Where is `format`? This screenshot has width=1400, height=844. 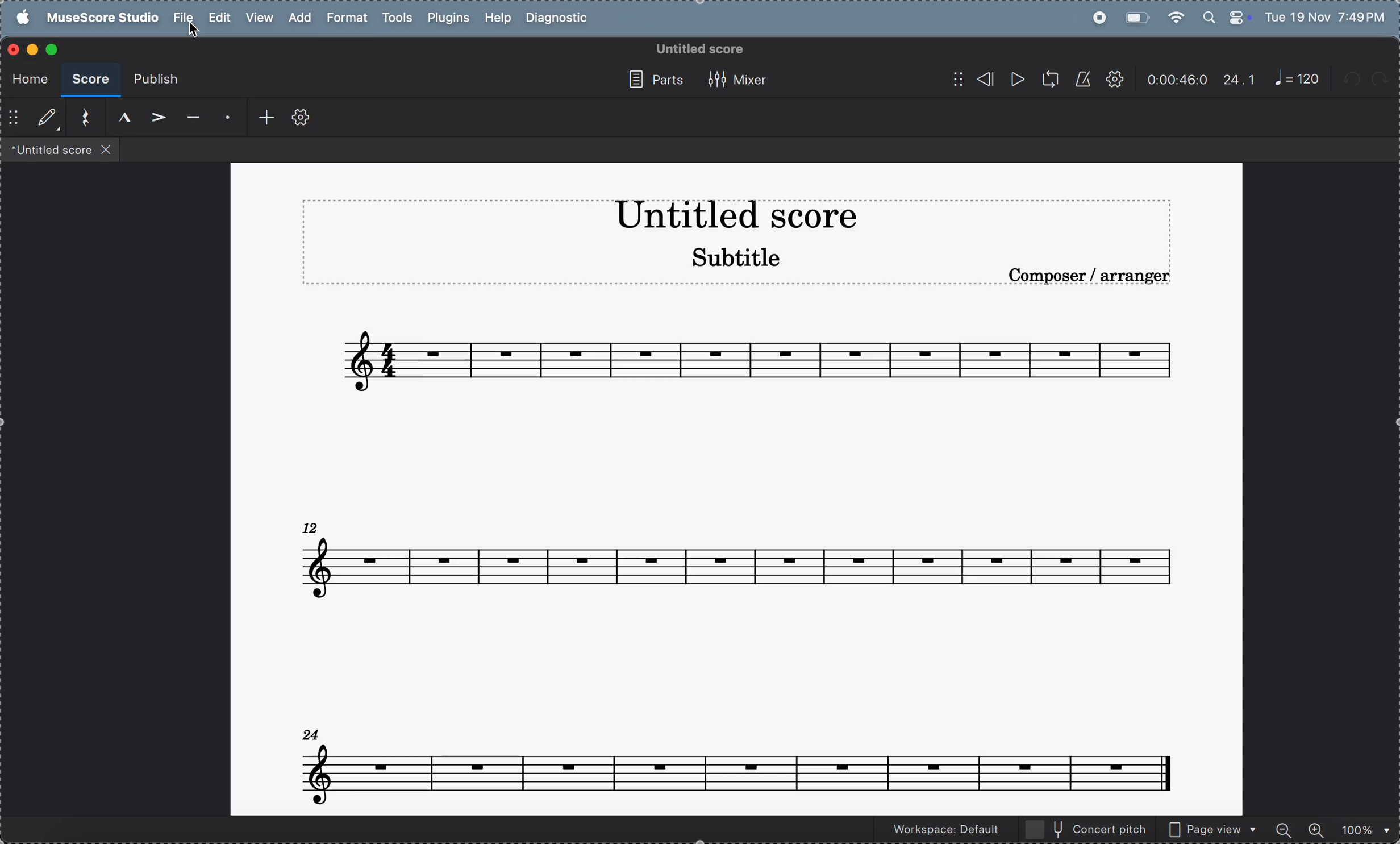 format is located at coordinates (346, 18).